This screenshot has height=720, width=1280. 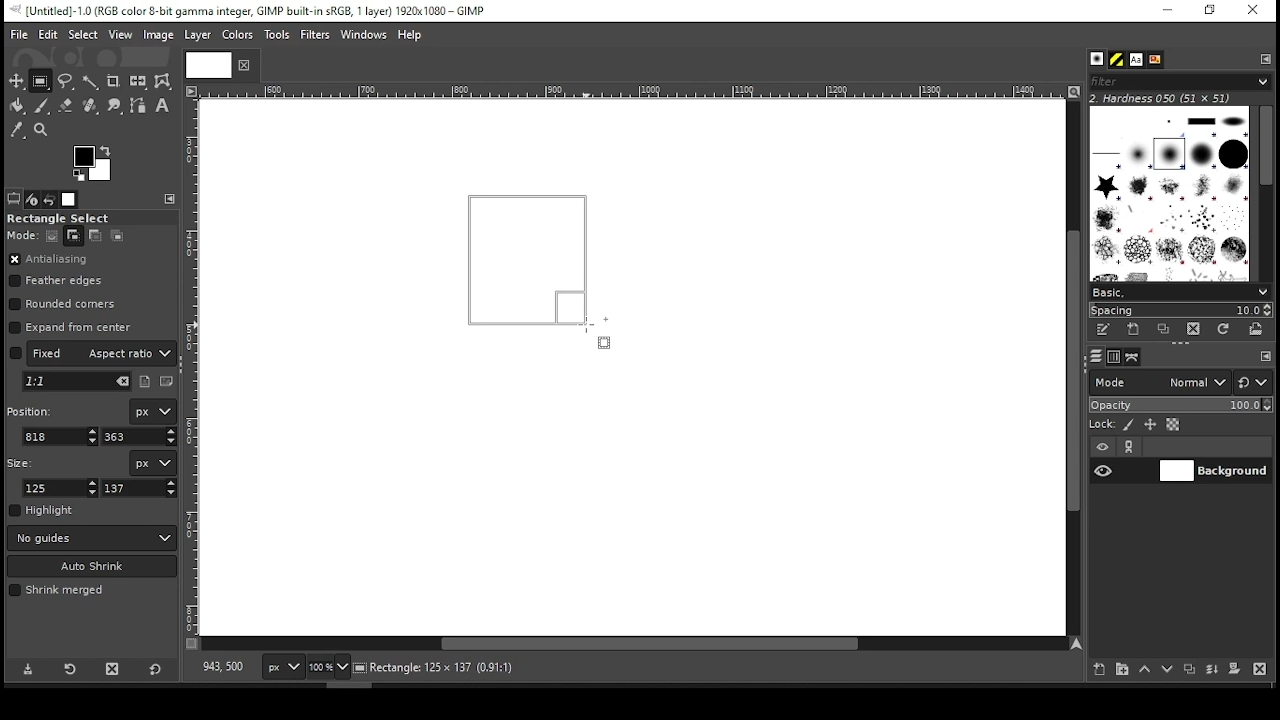 What do you see at coordinates (1266, 358) in the screenshot?
I see `configure this tab` at bounding box center [1266, 358].